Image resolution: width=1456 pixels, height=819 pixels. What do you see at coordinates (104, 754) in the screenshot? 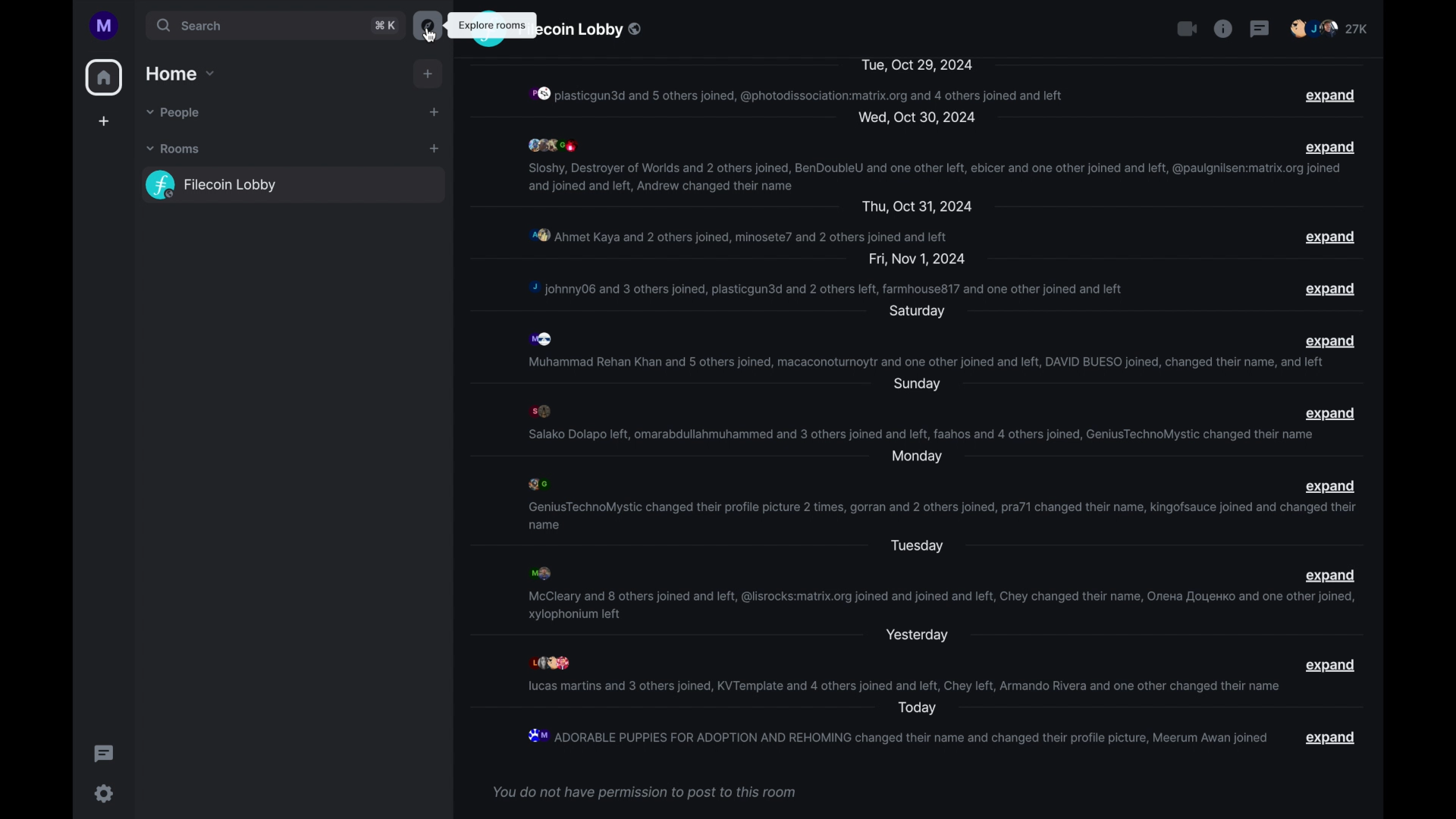
I see `thread activity` at bounding box center [104, 754].